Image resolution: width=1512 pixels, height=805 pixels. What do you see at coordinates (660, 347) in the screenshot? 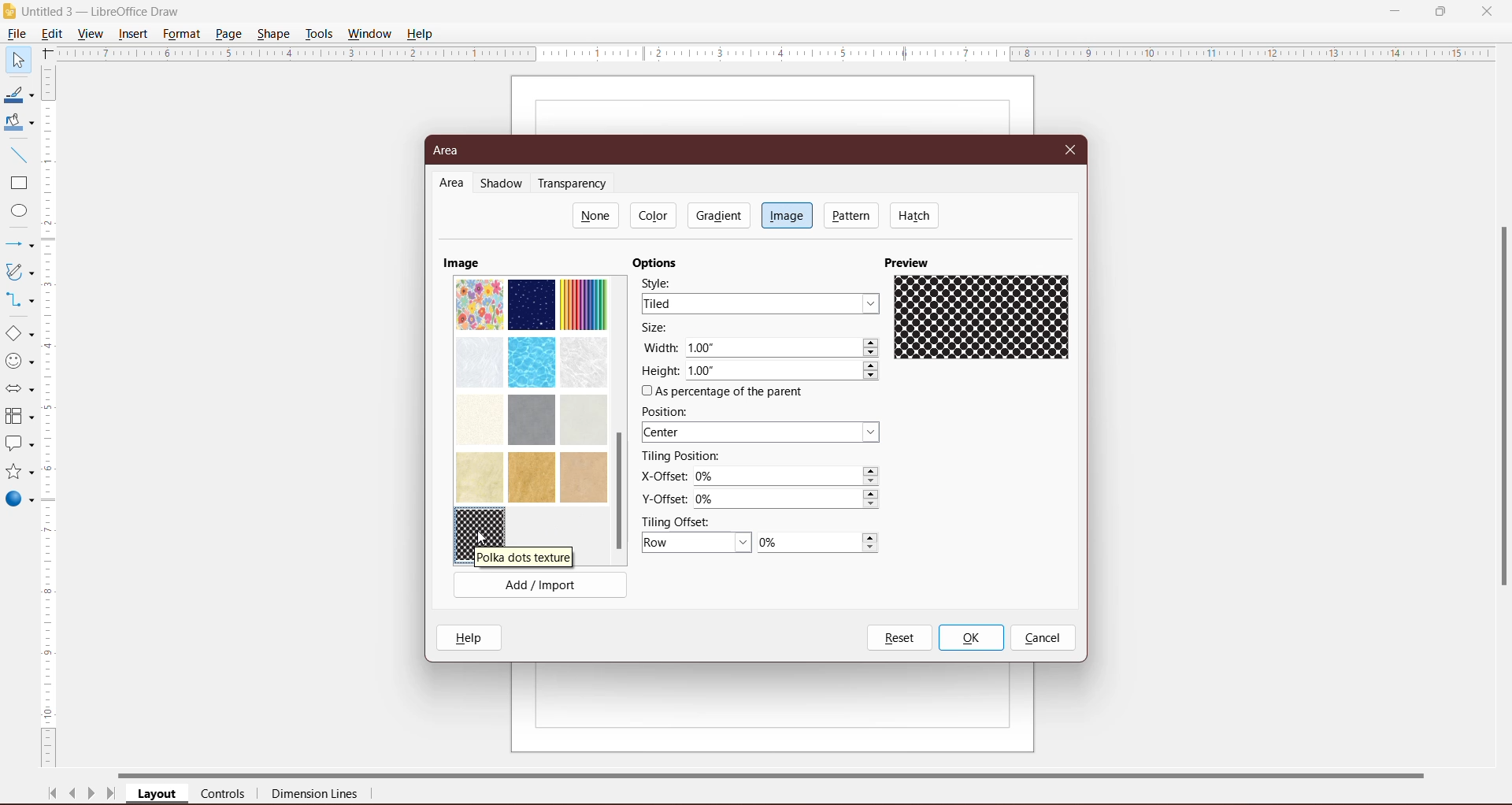
I see `Width` at bounding box center [660, 347].